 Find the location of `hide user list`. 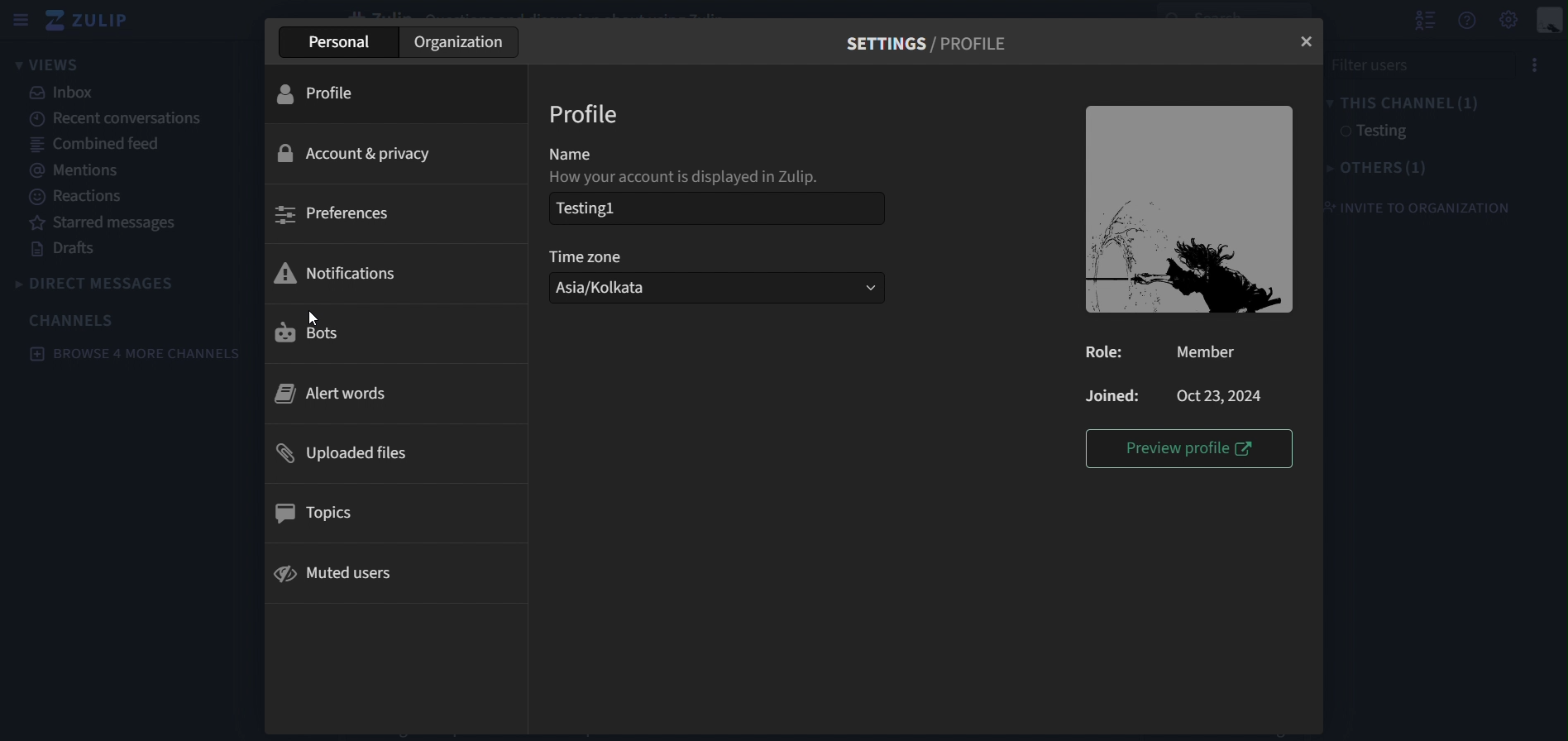

hide user list is located at coordinates (1425, 18).